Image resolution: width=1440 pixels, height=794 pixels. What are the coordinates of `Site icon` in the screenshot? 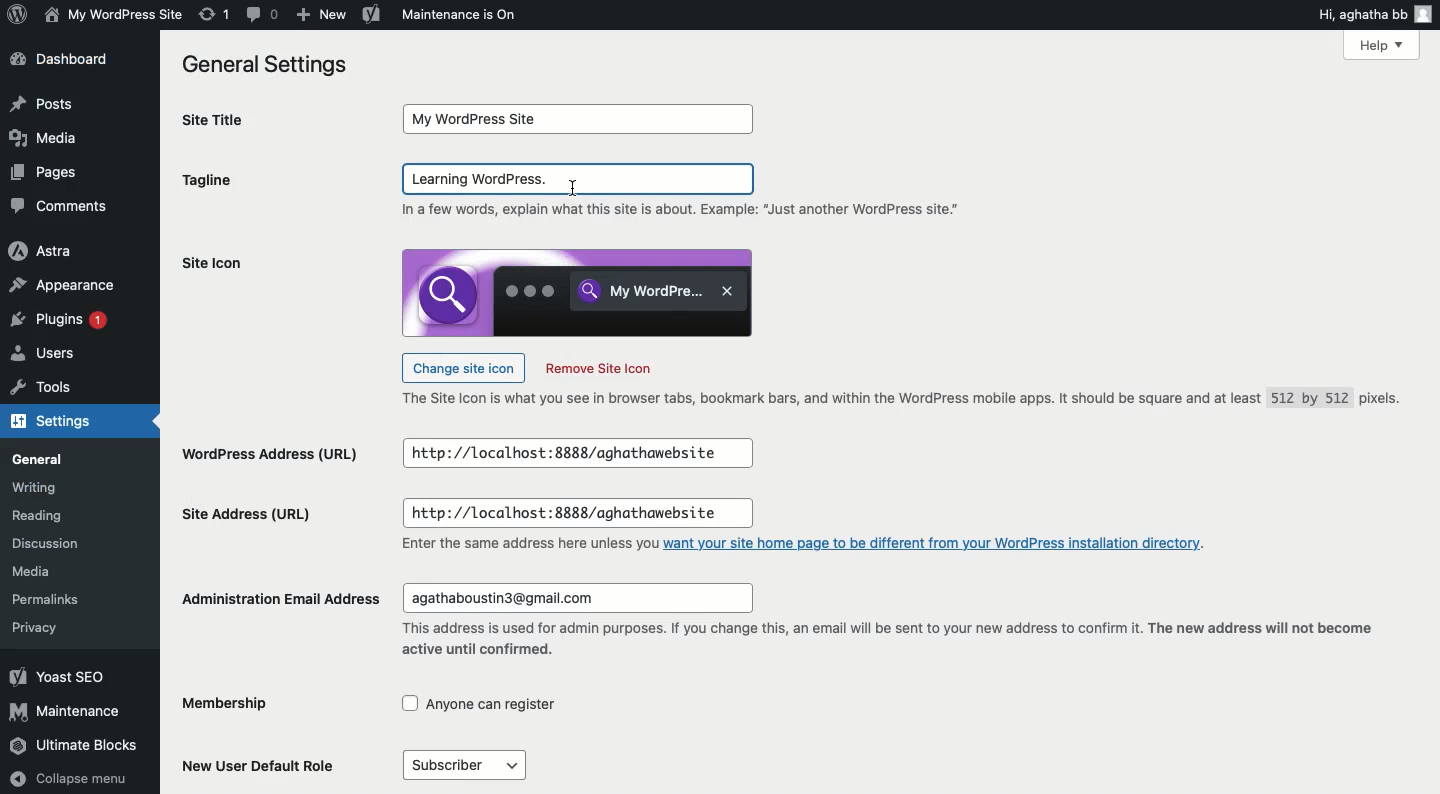 It's located at (212, 263).